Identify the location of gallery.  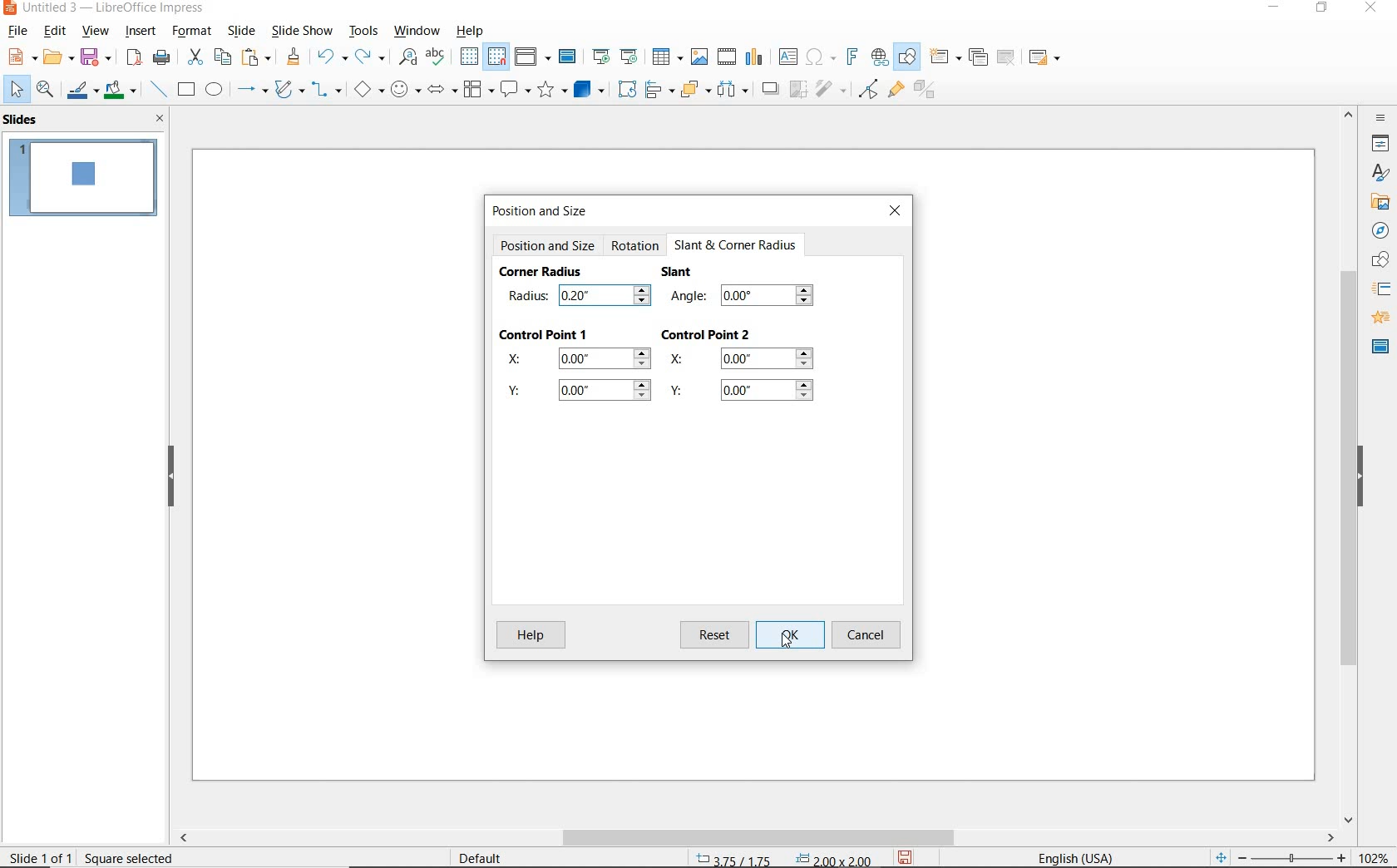
(1380, 201).